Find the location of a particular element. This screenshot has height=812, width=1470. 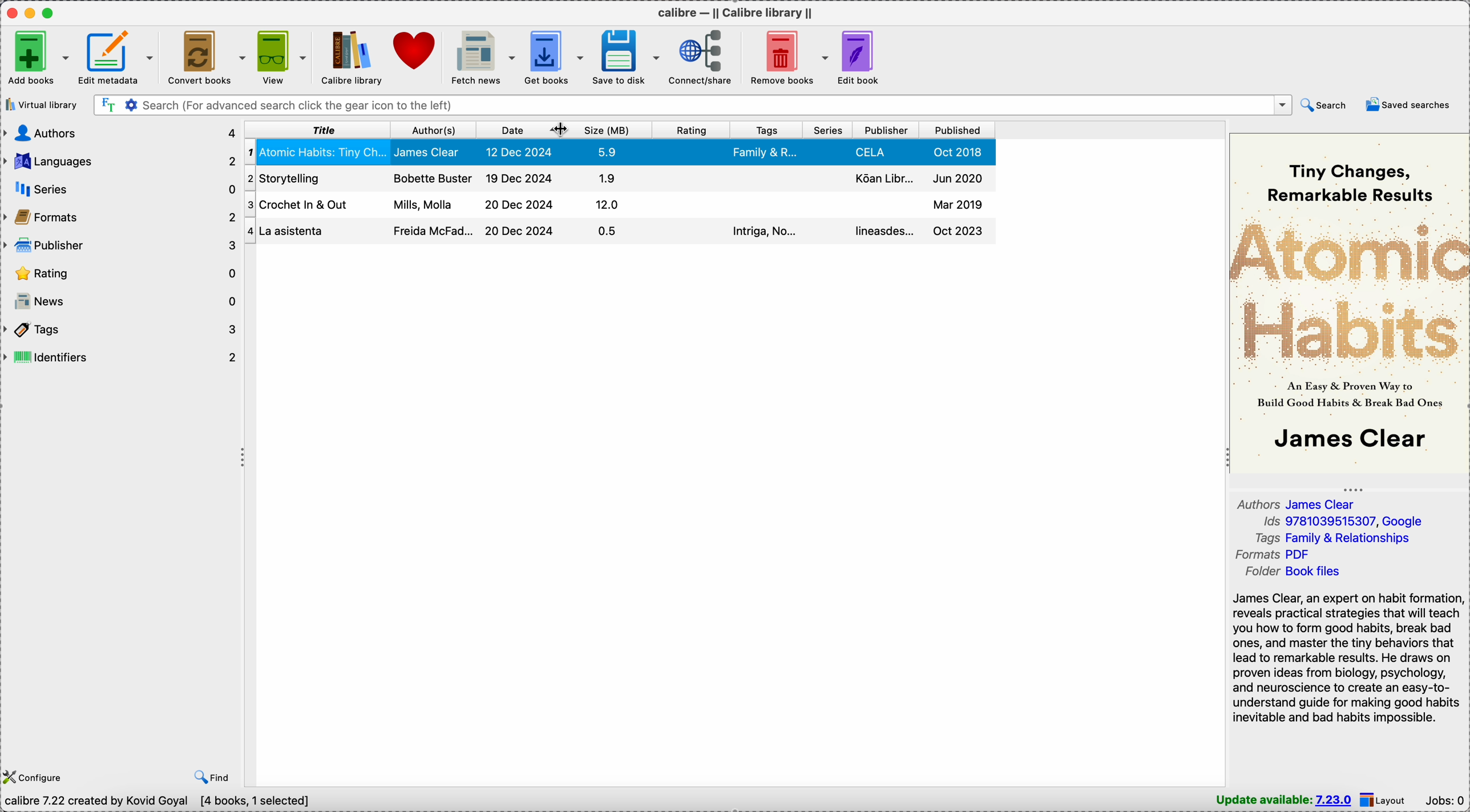

virtual library is located at coordinates (41, 106).